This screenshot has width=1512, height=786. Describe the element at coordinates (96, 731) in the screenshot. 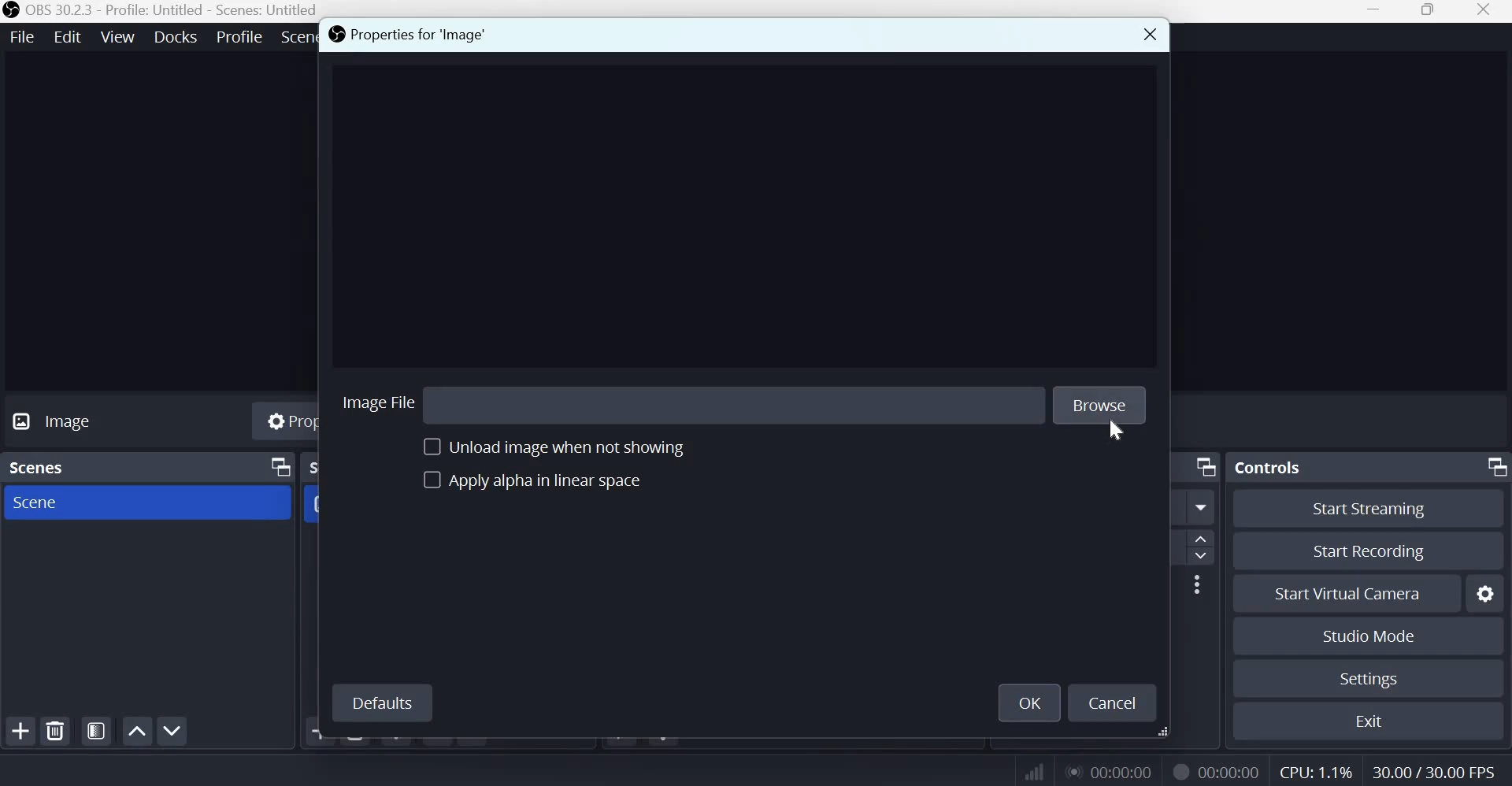

I see `Open scene filters` at that location.